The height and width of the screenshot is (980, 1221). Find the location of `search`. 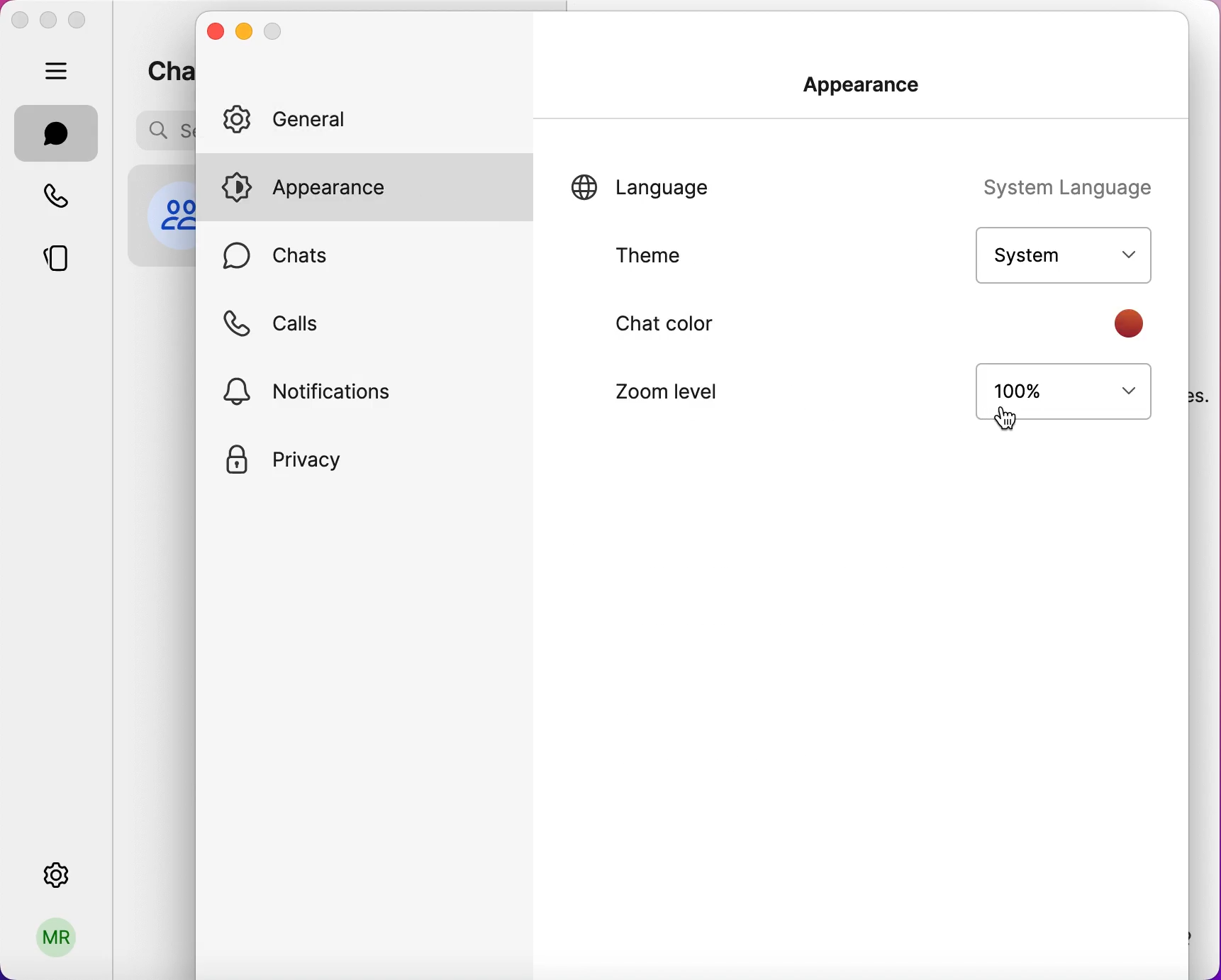

search is located at coordinates (156, 131).